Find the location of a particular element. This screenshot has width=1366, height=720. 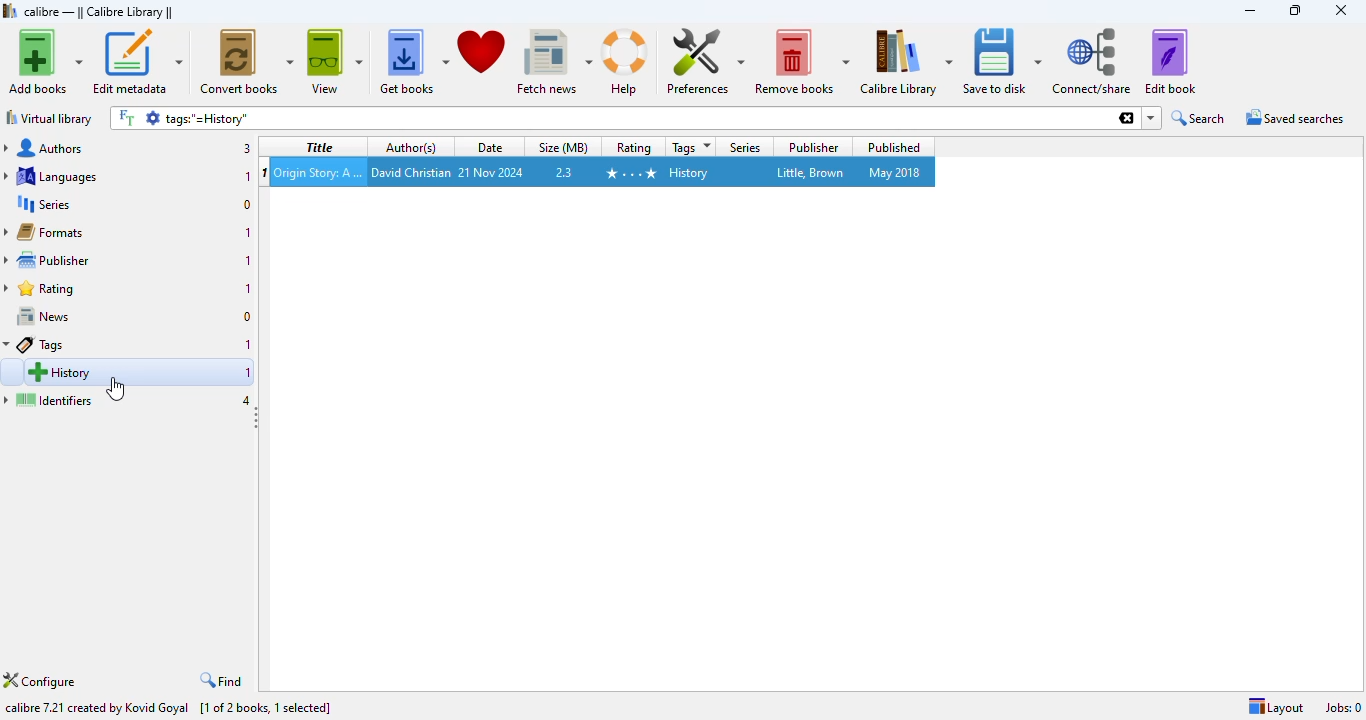

series is located at coordinates (745, 147).